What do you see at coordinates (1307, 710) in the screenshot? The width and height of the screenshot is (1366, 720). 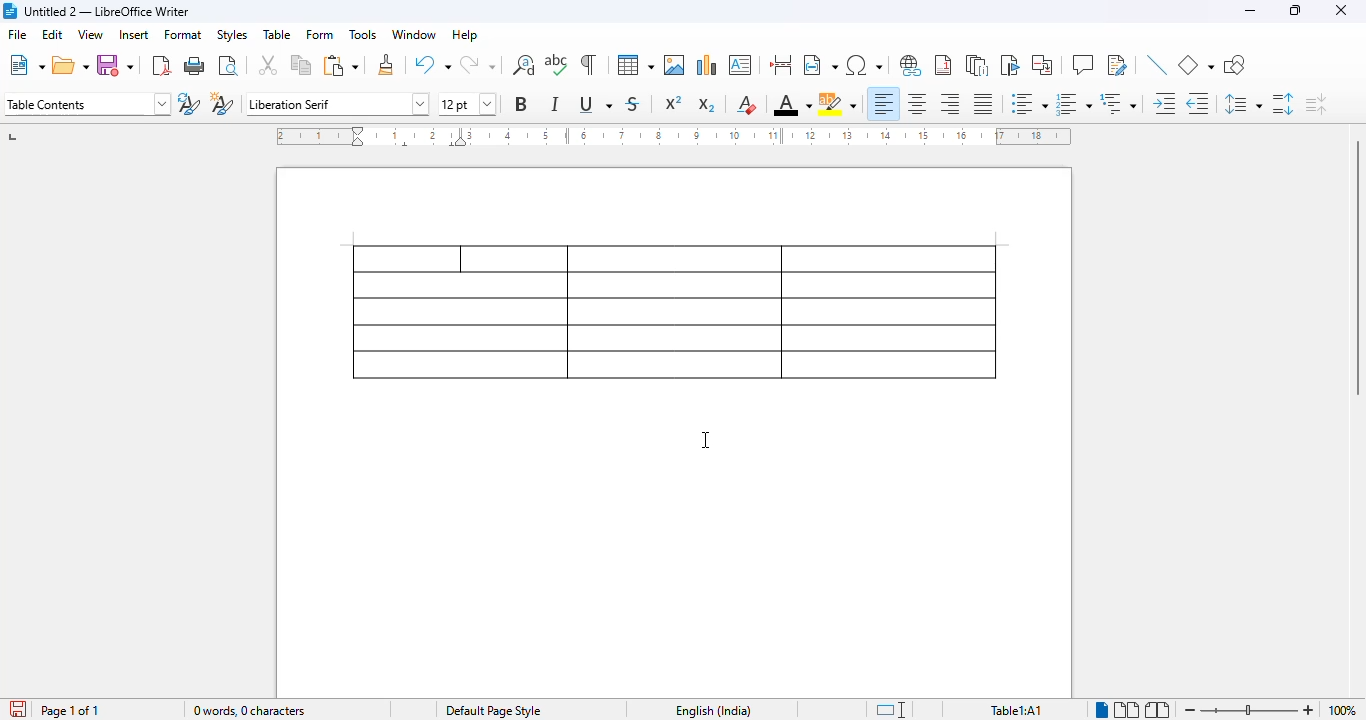 I see `zoom in` at bounding box center [1307, 710].